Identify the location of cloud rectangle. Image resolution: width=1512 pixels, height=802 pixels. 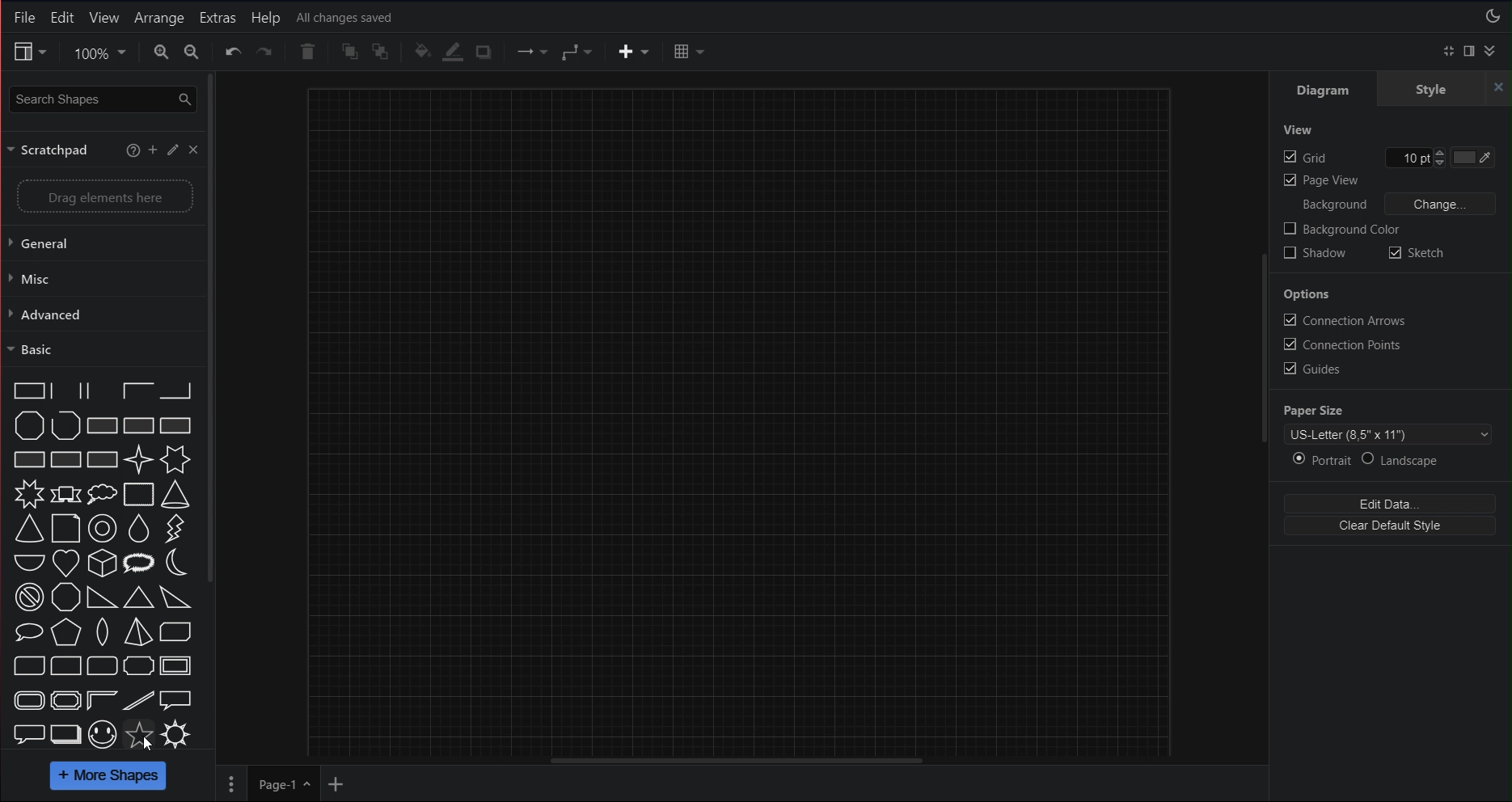
(139, 494).